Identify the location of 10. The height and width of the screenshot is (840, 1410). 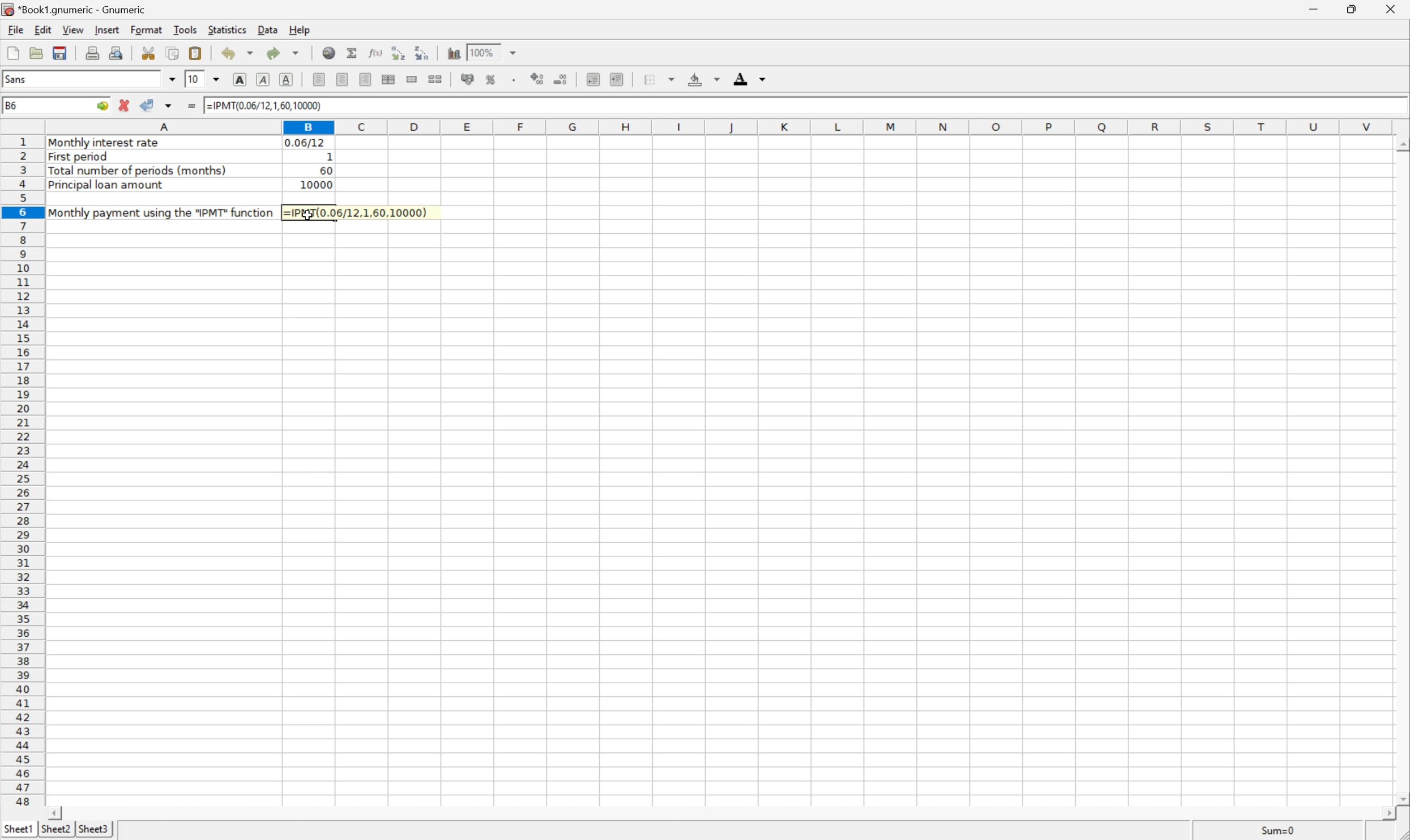
(193, 79).